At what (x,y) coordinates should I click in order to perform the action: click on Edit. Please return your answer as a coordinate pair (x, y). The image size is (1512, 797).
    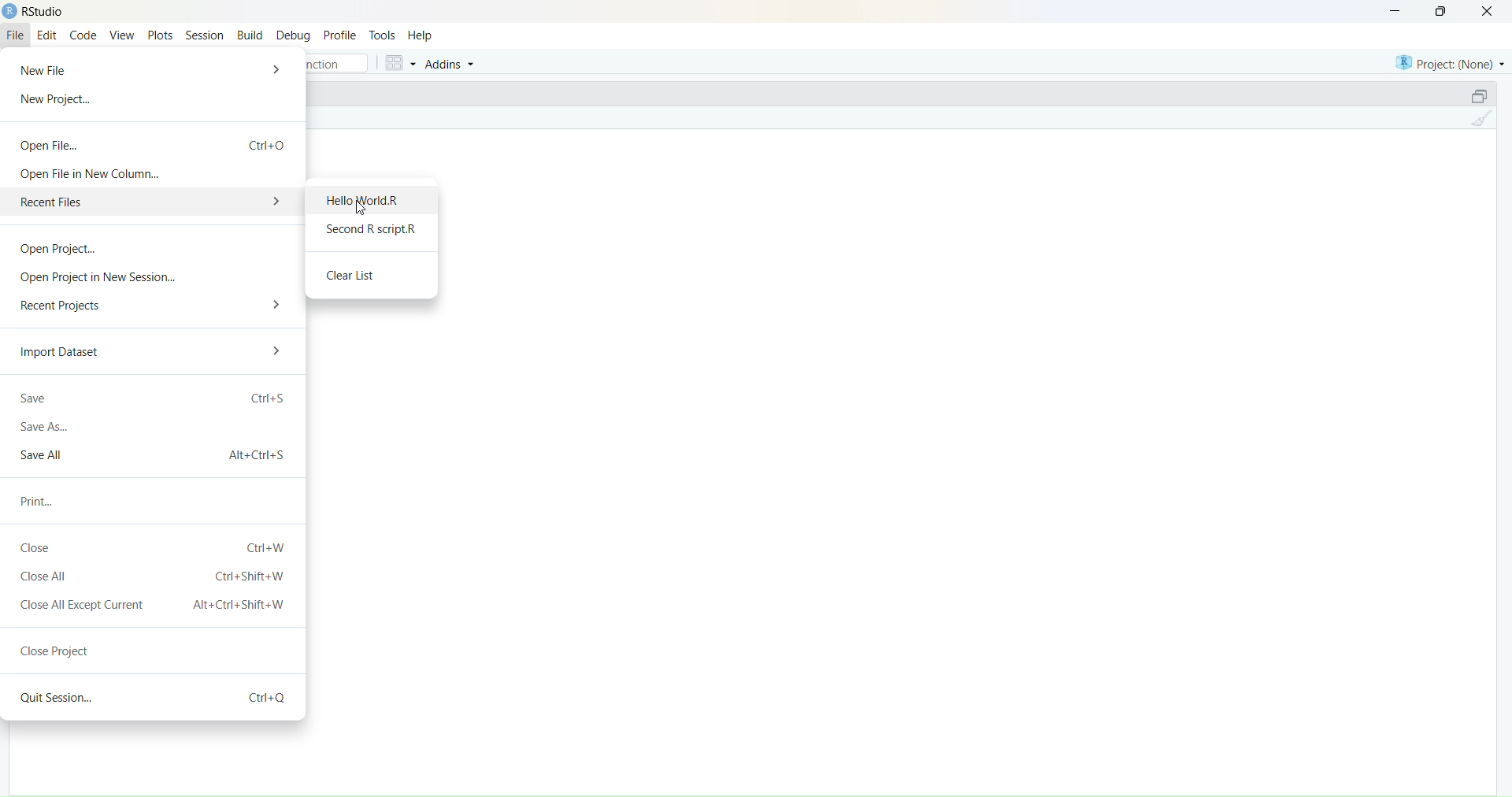
    Looking at the image, I should click on (47, 36).